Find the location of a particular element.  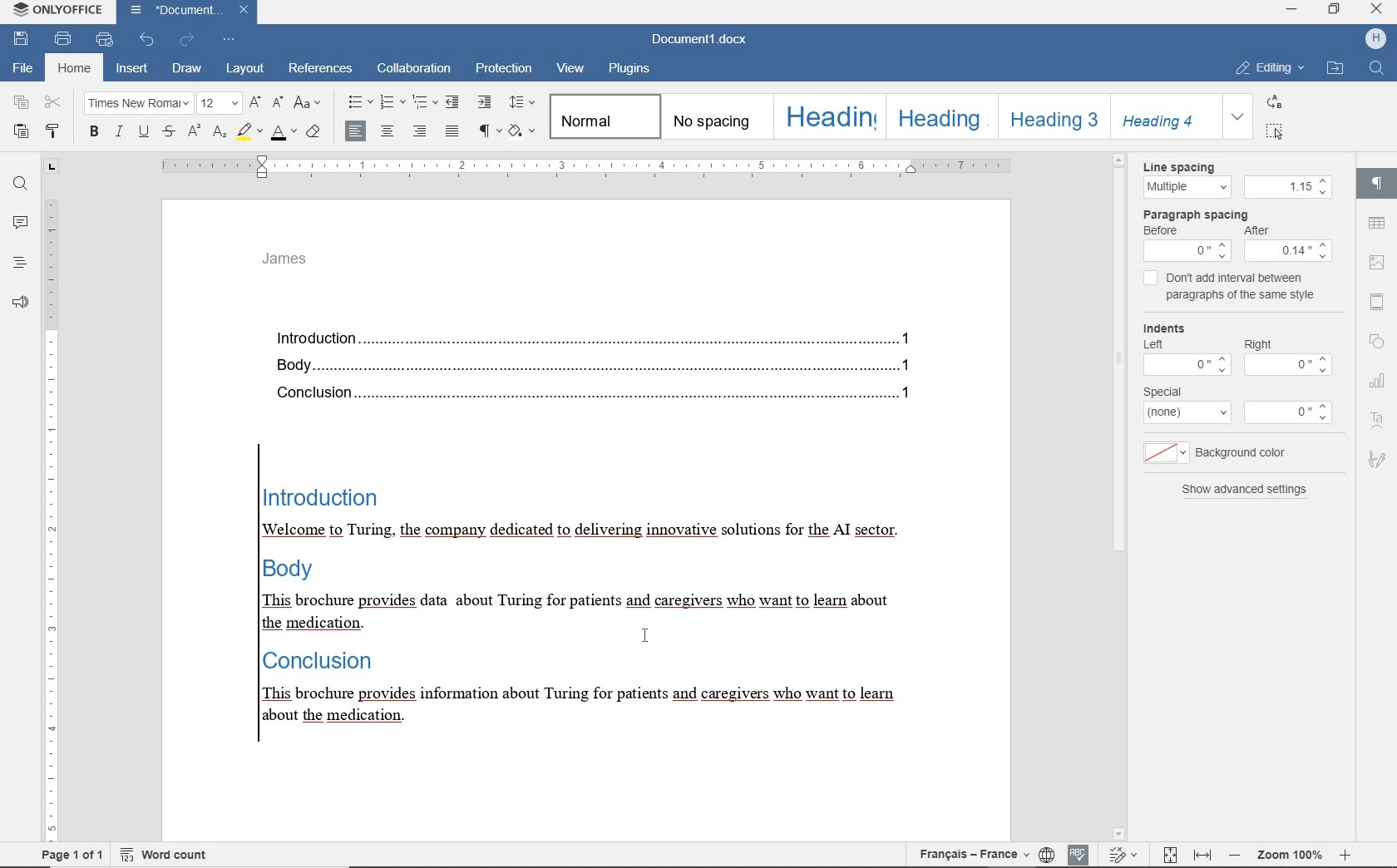

right is located at coordinates (1260, 343).